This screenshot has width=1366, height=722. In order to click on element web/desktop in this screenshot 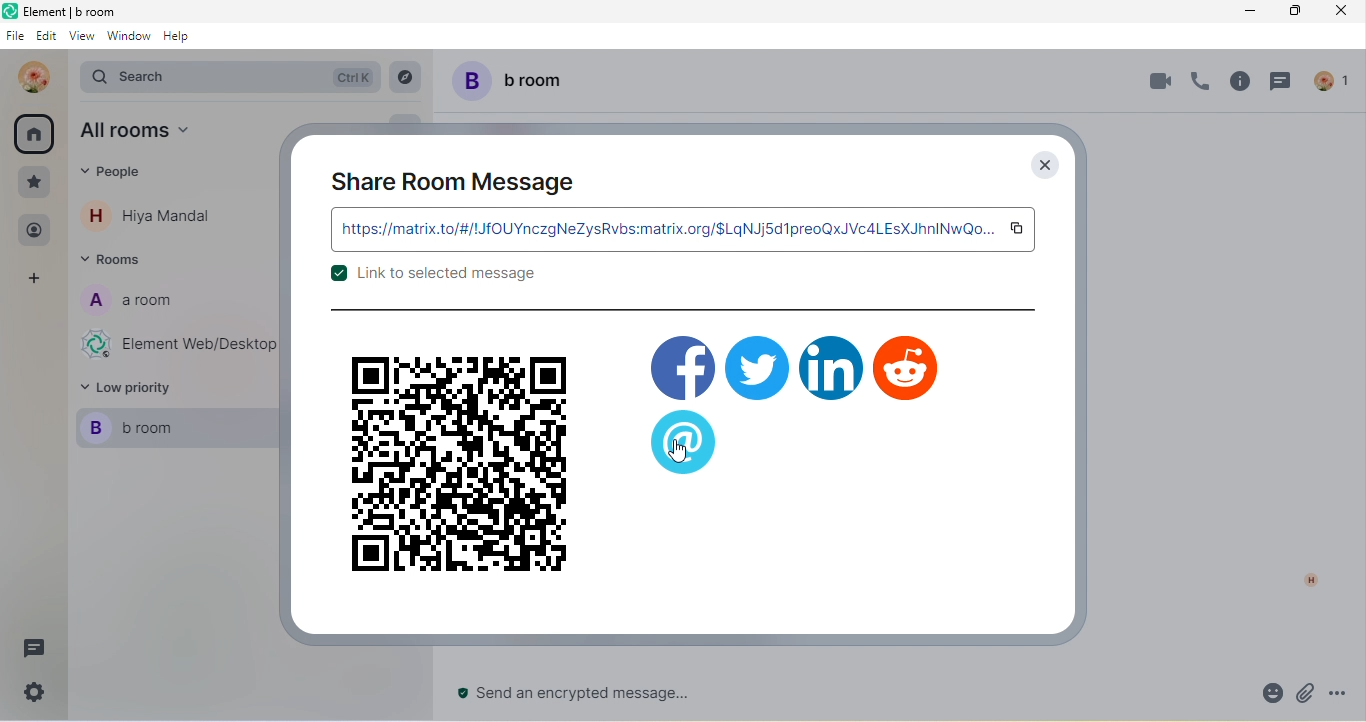, I will do `click(177, 346)`.